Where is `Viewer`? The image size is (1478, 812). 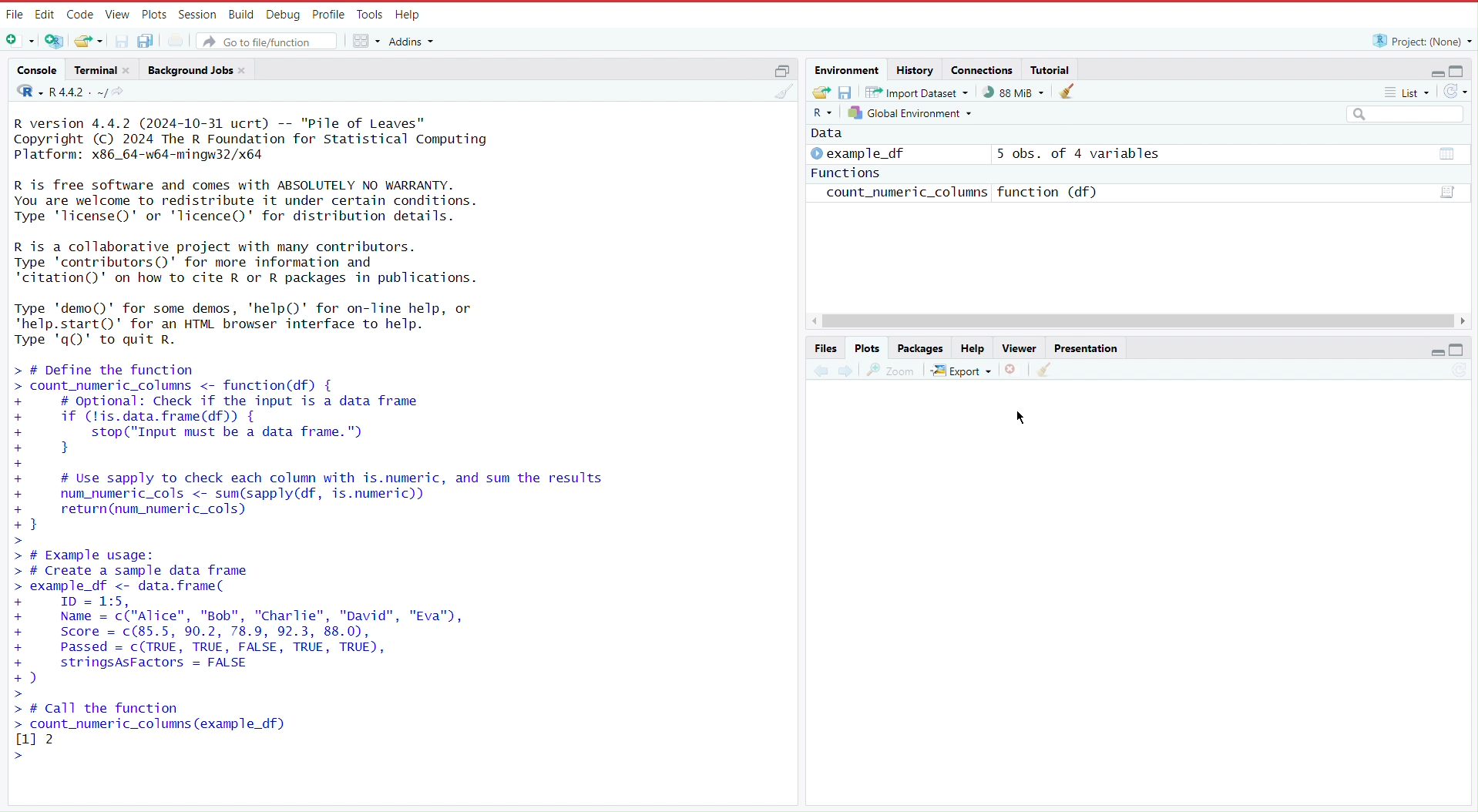
Viewer is located at coordinates (1017, 348).